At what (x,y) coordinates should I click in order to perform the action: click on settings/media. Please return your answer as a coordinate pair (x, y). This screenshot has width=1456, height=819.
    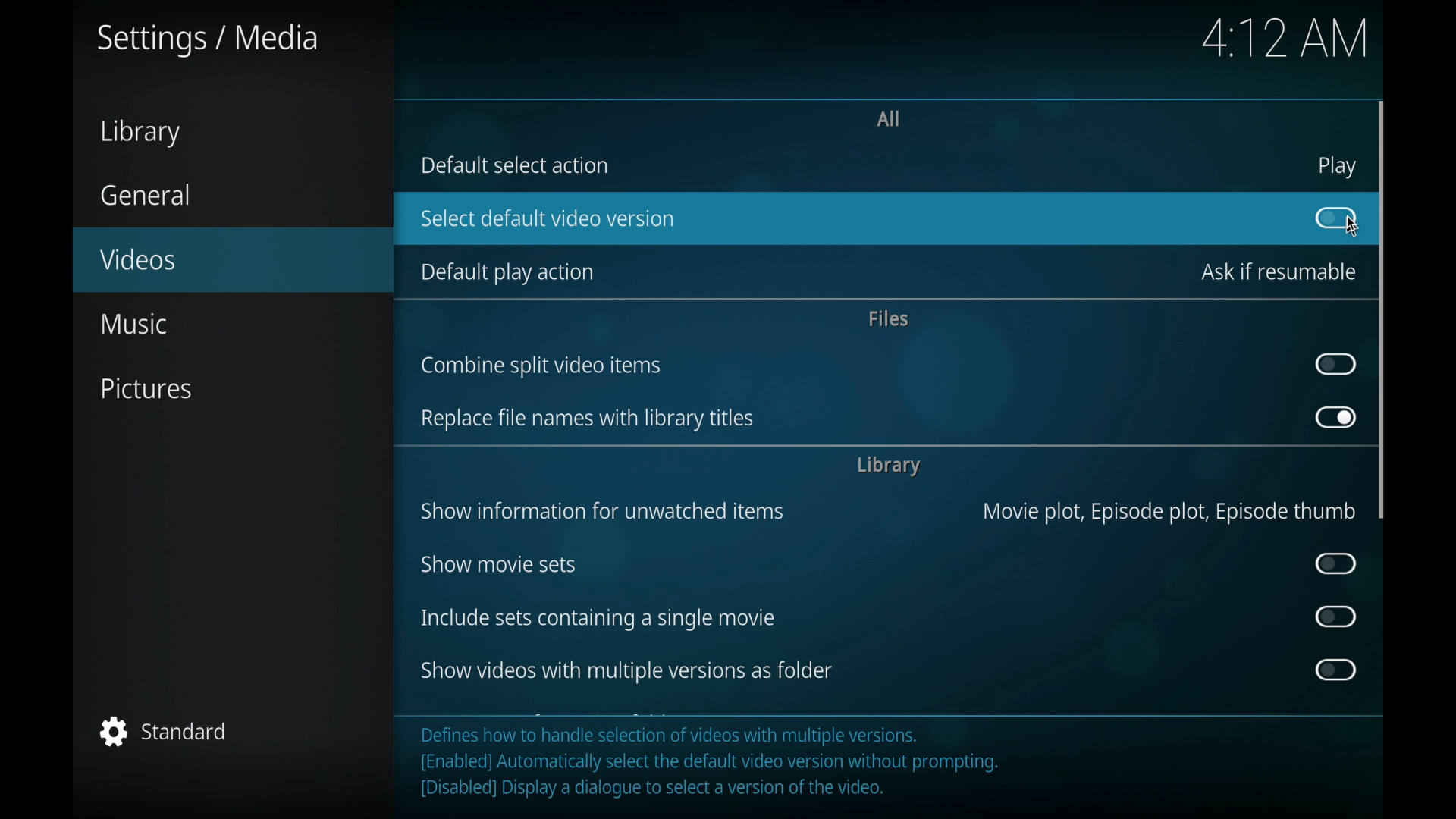
    Looking at the image, I should click on (206, 40).